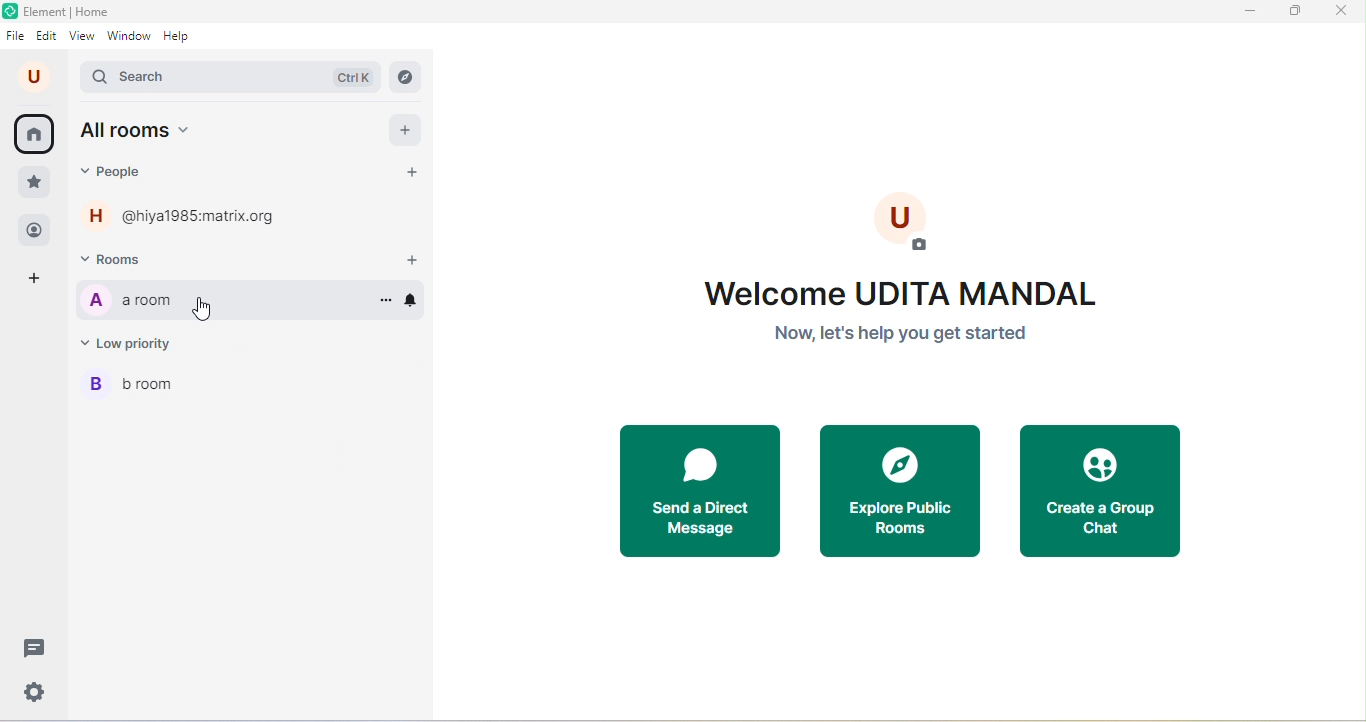 This screenshot has width=1366, height=722. I want to click on cursor, so click(204, 309).